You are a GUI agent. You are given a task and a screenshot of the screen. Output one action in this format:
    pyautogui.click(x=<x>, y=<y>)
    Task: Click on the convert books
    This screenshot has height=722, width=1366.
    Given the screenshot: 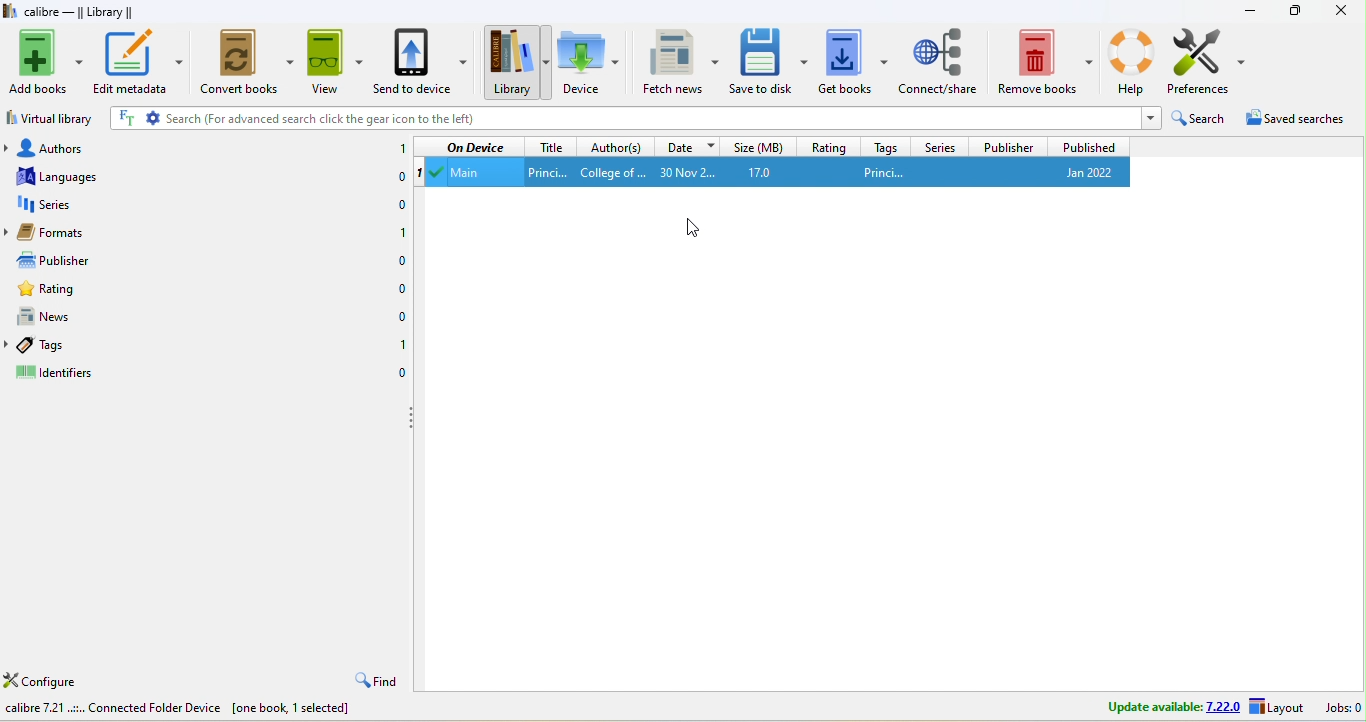 What is the action you would take?
    pyautogui.click(x=249, y=62)
    